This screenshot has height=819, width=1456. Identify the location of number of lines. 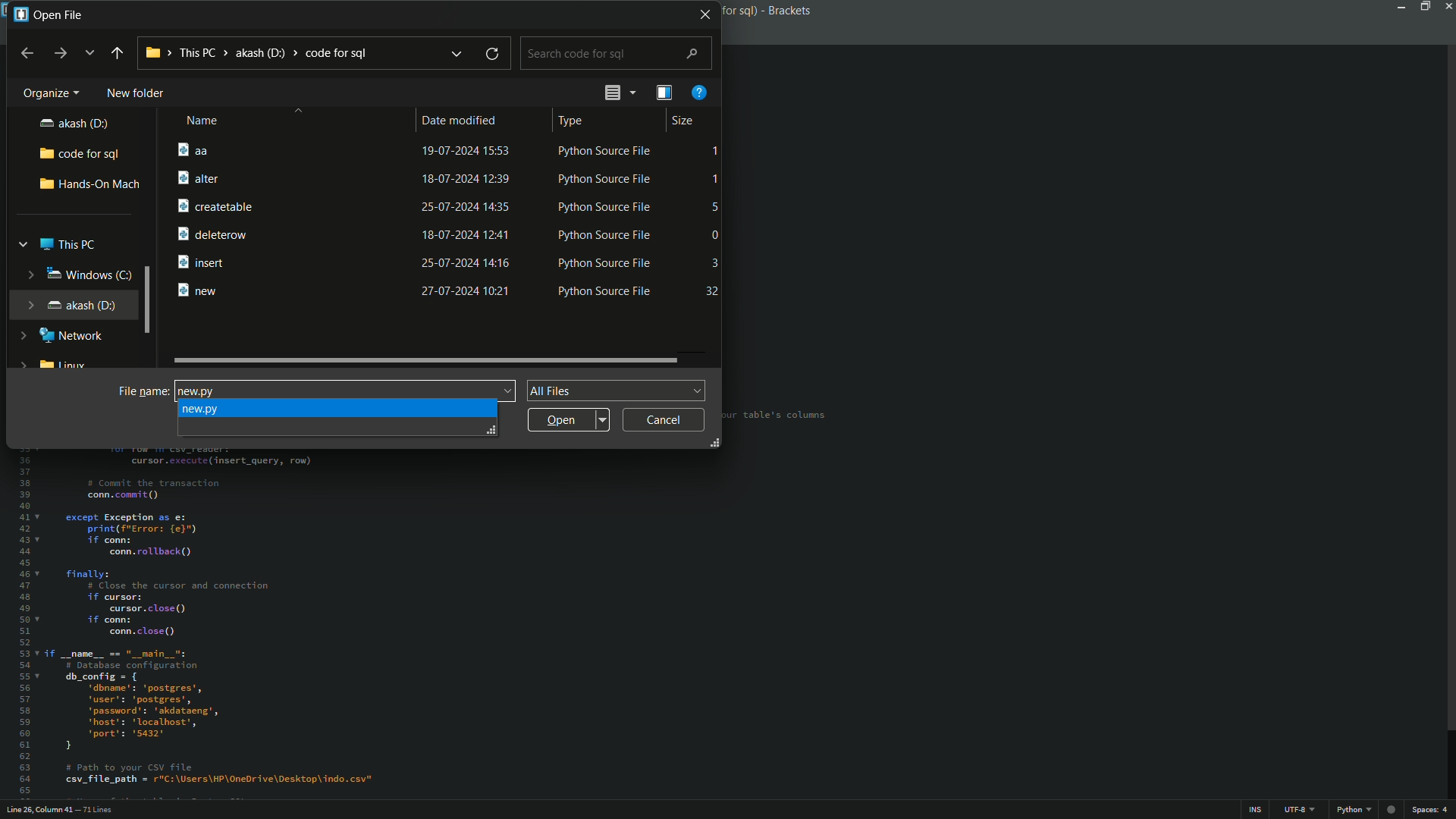
(98, 809).